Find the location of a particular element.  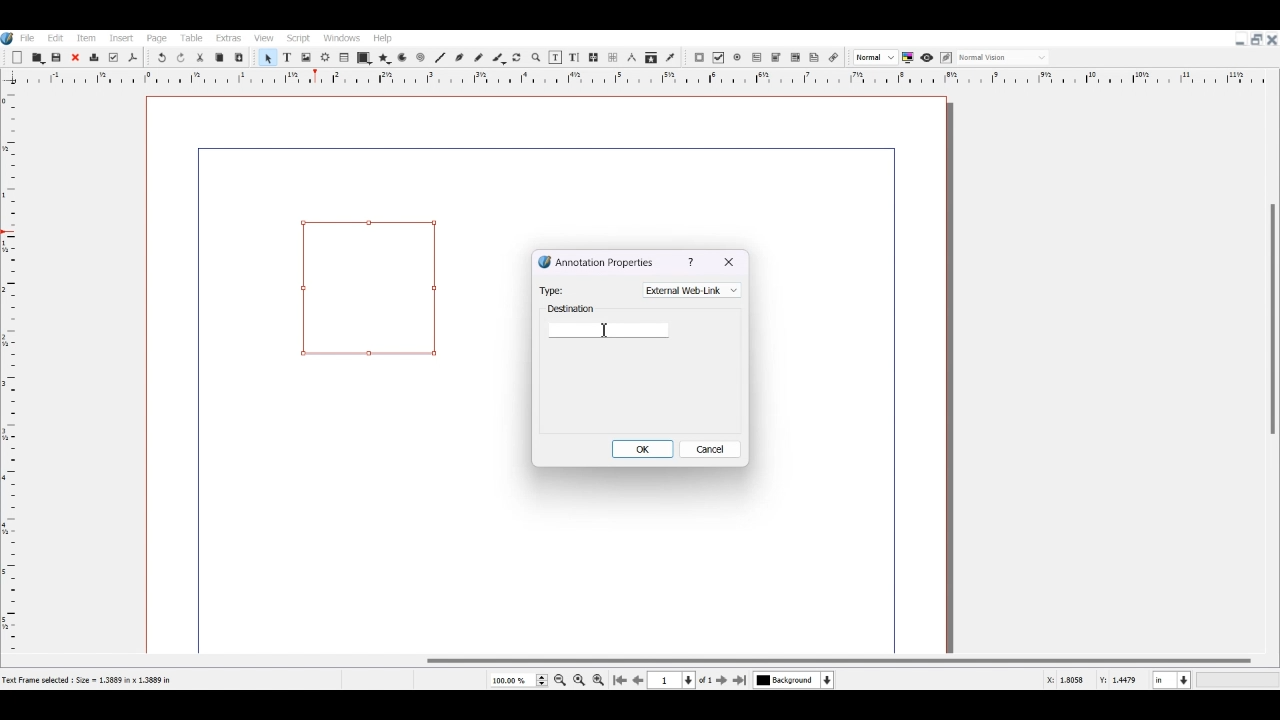

Go to next page is located at coordinates (723, 680).